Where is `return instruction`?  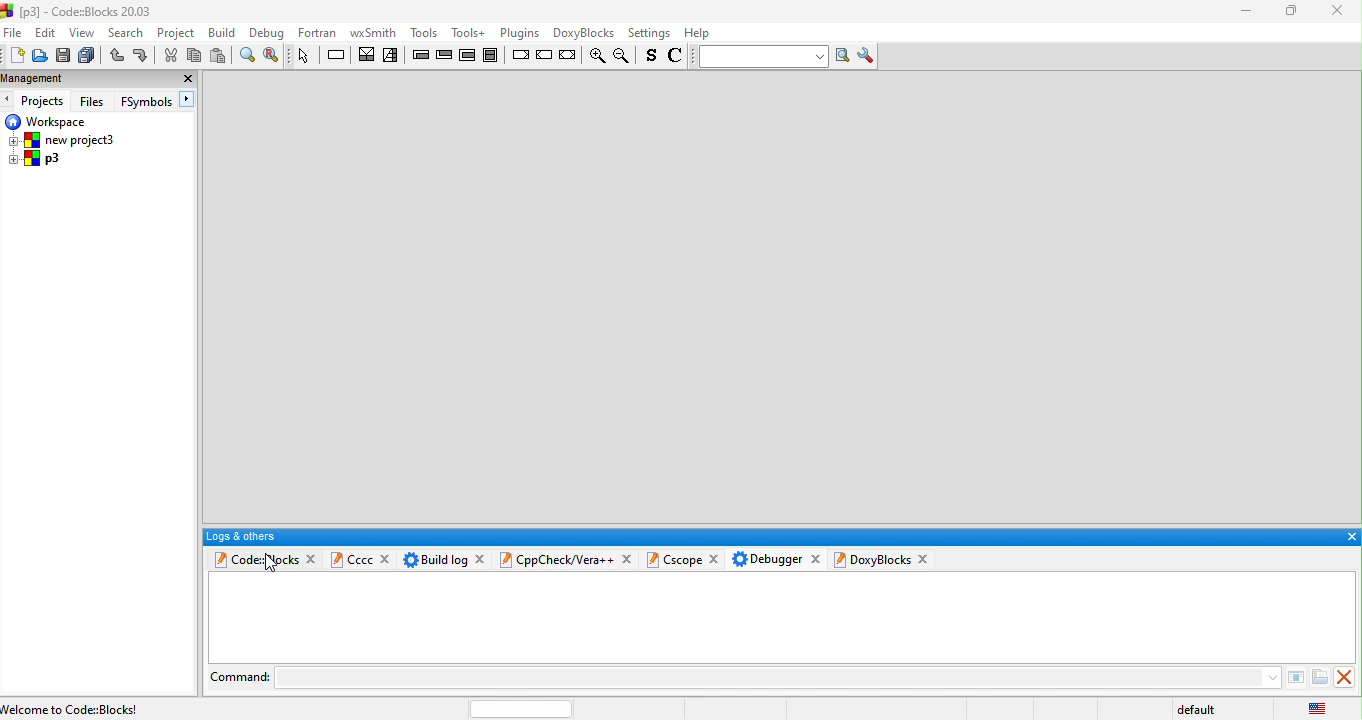 return instruction is located at coordinates (569, 56).